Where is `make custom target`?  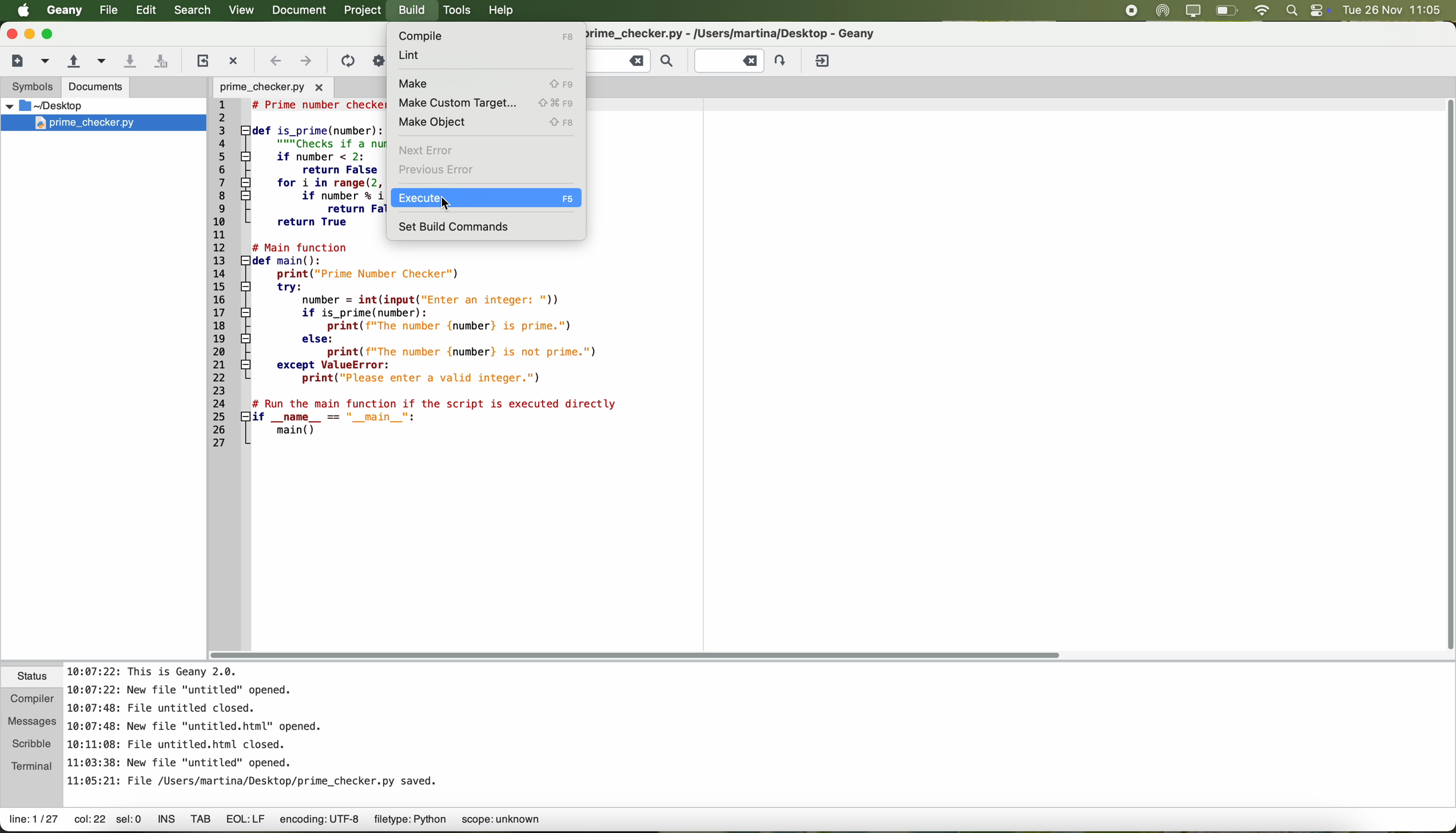
make custom target is located at coordinates (486, 102).